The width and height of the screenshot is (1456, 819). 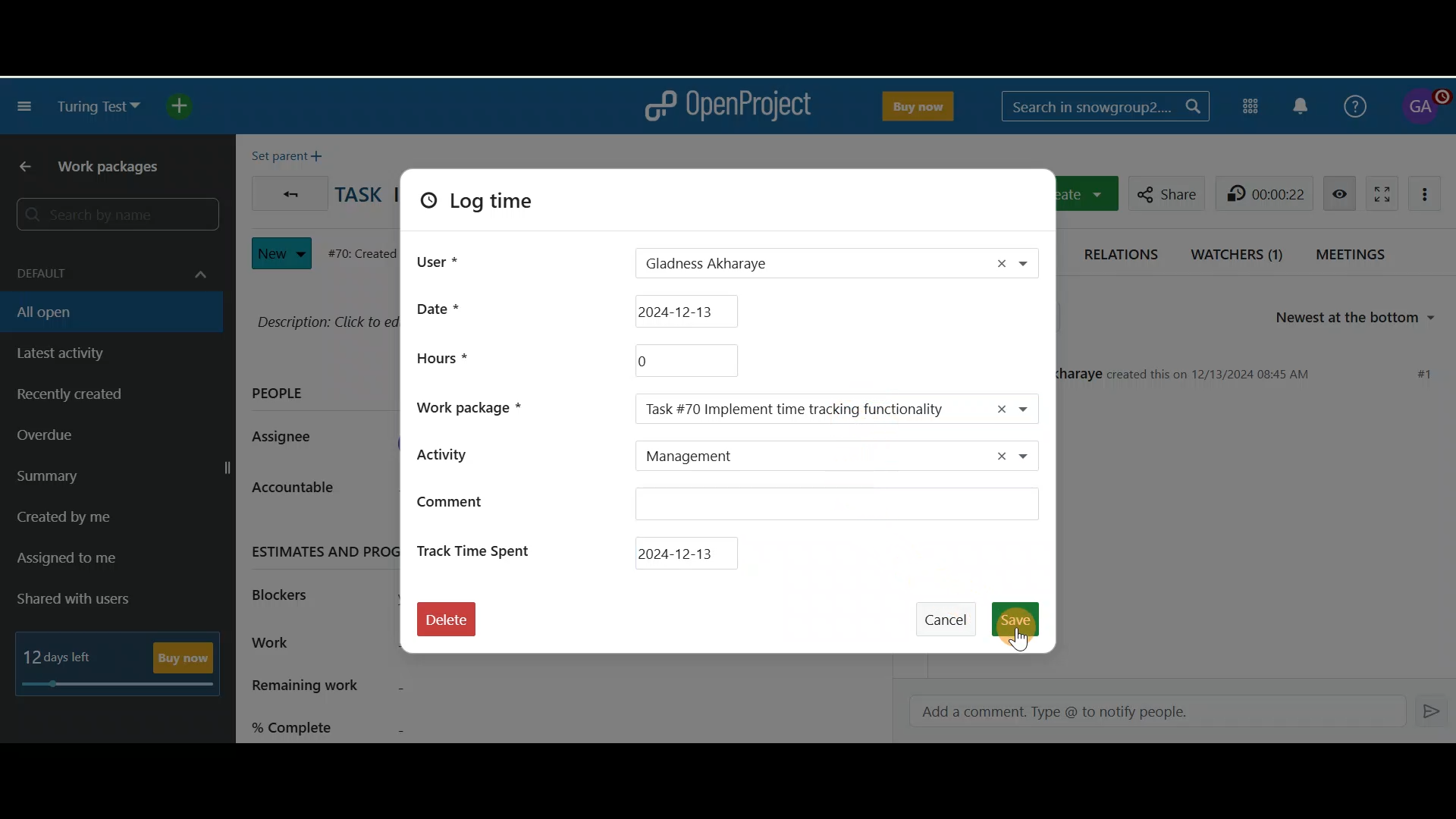 I want to click on Remaining work, so click(x=403, y=687).